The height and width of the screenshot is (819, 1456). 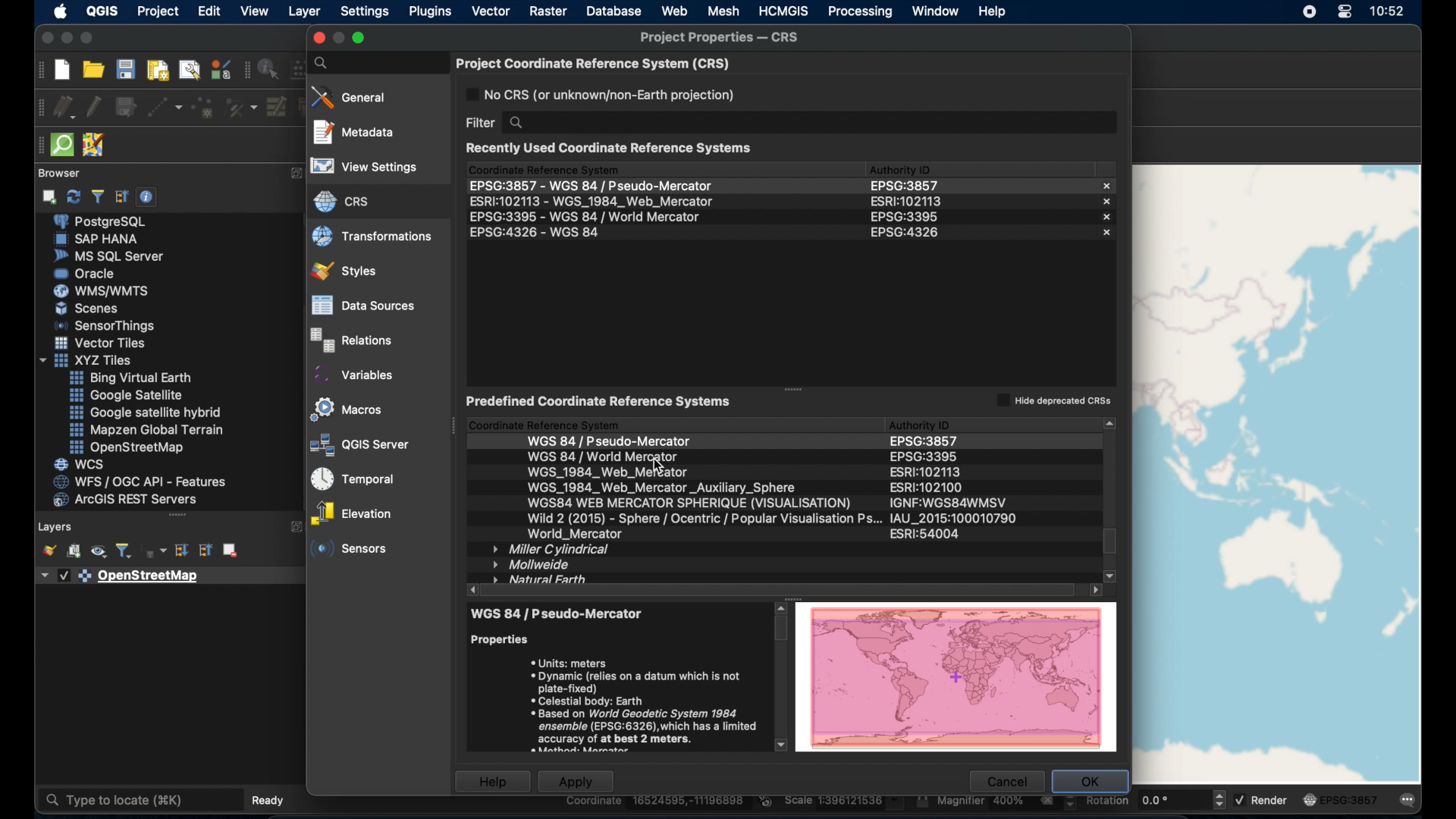 What do you see at coordinates (934, 11) in the screenshot?
I see `window` at bounding box center [934, 11].